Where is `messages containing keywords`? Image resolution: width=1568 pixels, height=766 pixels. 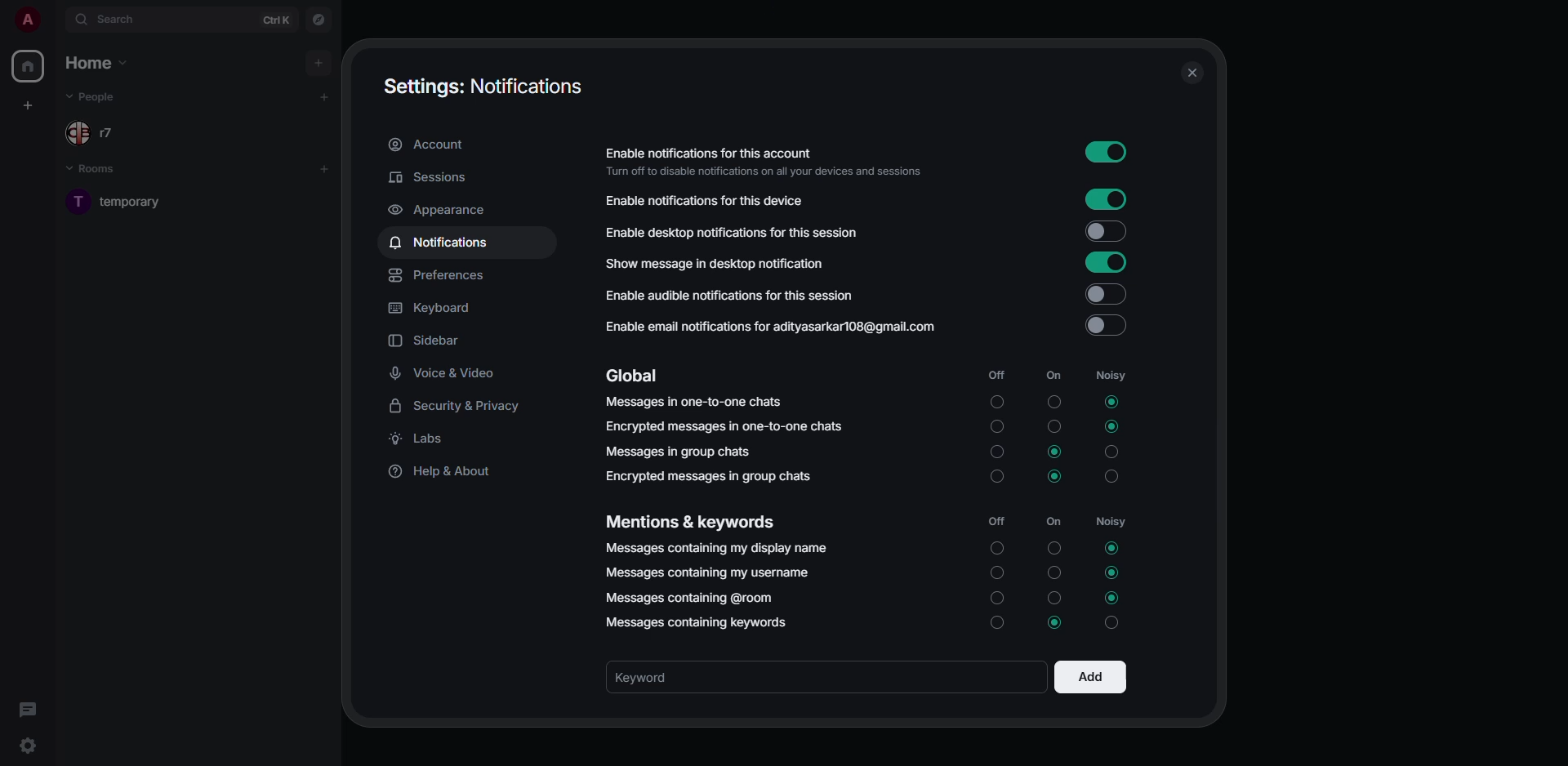
messages containing keywords is located at coordinates (697, 625).